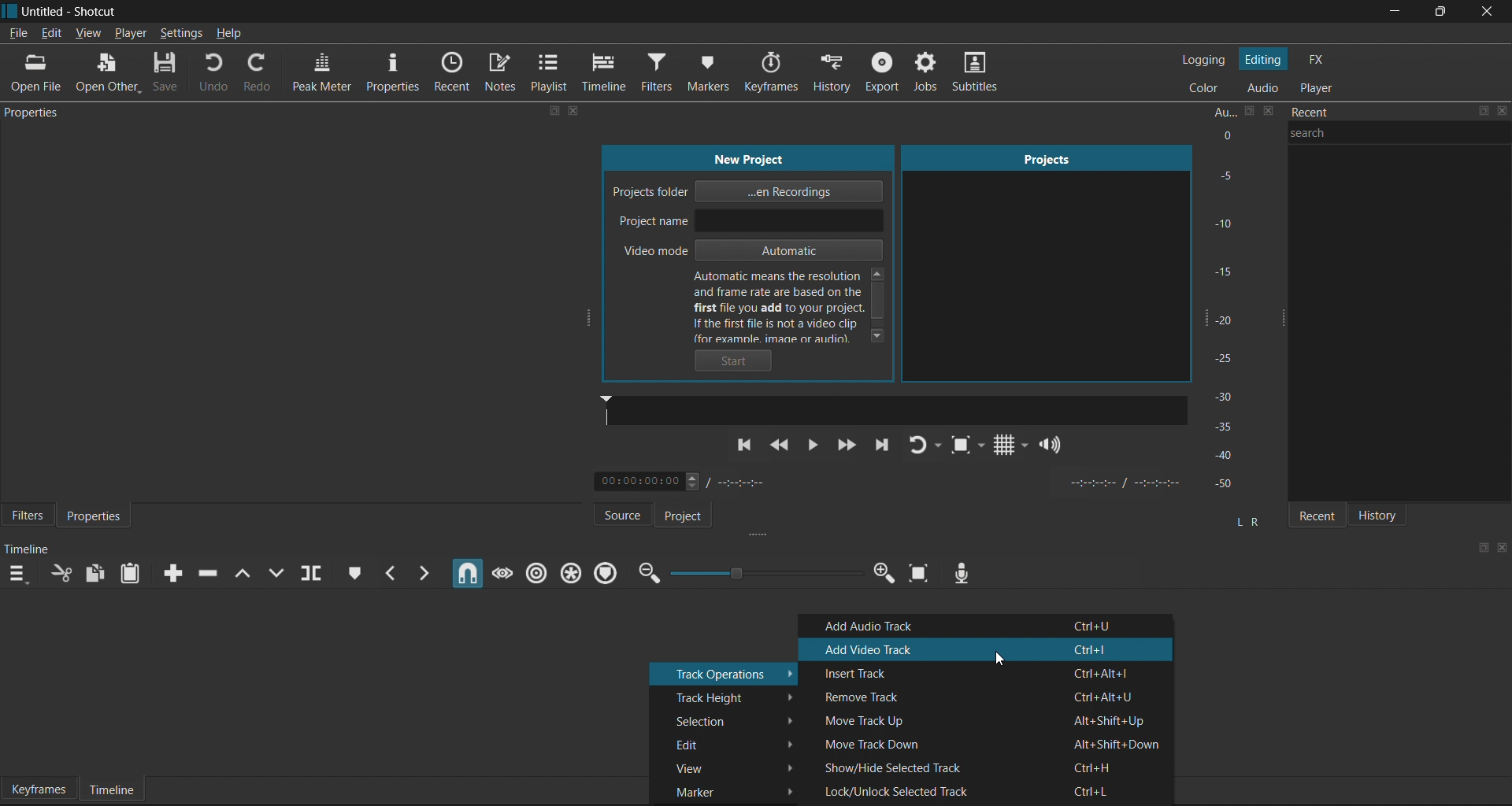  What do you see at coordinates (246, 571) in the screenshot?
I see `Lift` at bounding box center [246, 571].